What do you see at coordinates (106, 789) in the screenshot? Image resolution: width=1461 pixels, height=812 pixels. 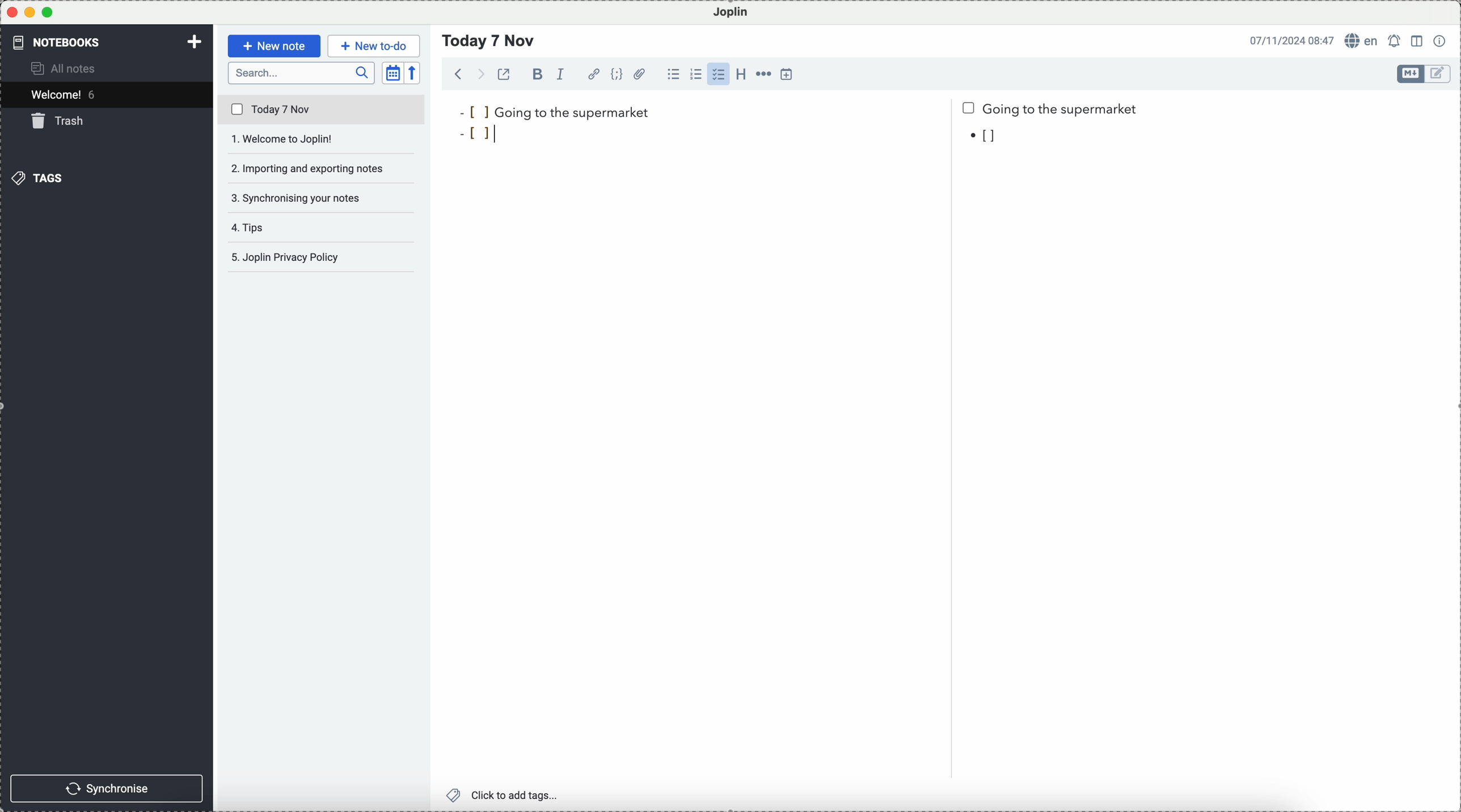 I see `synchronise button` at bounding box center [106, 789].